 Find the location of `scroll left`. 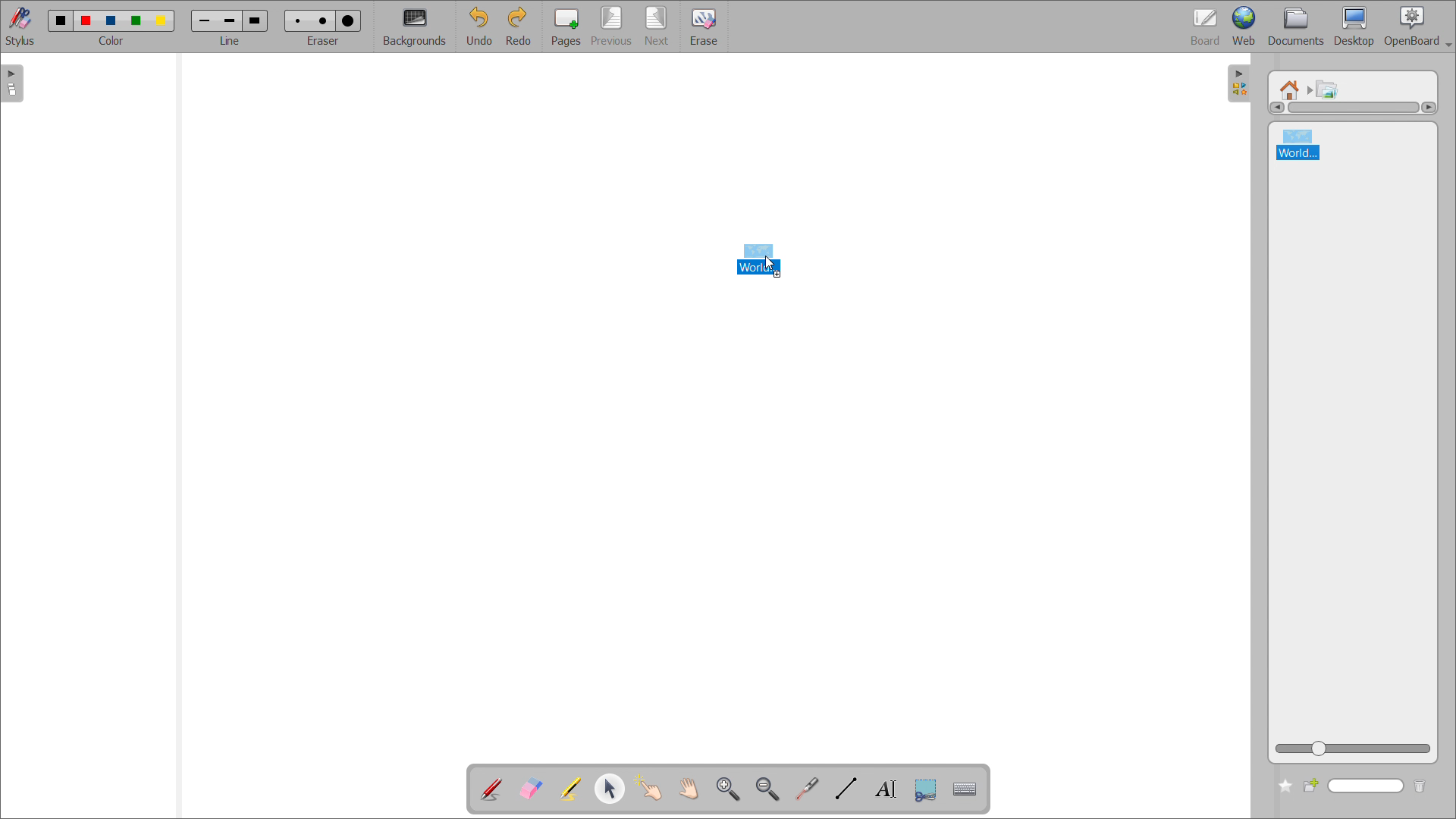

scroll left is located at coordinates (1276, 107).